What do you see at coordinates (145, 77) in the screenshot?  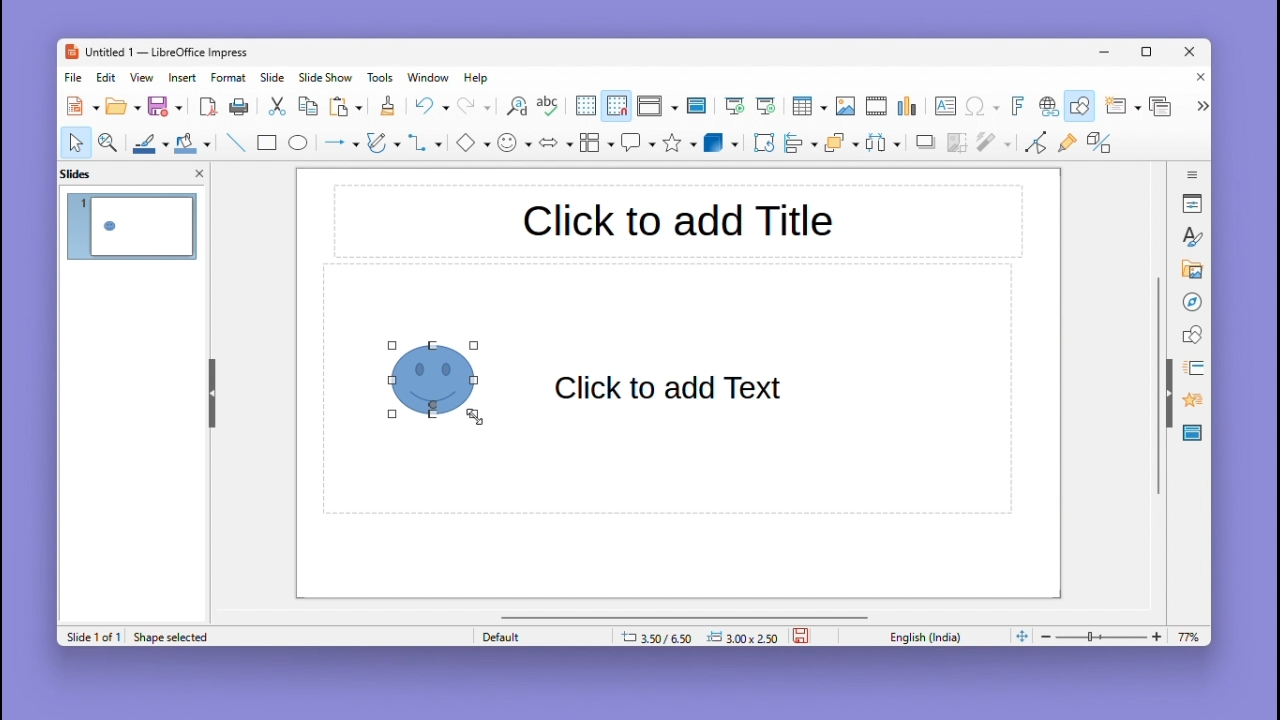 I see `View` at bounding box center [145, 77].